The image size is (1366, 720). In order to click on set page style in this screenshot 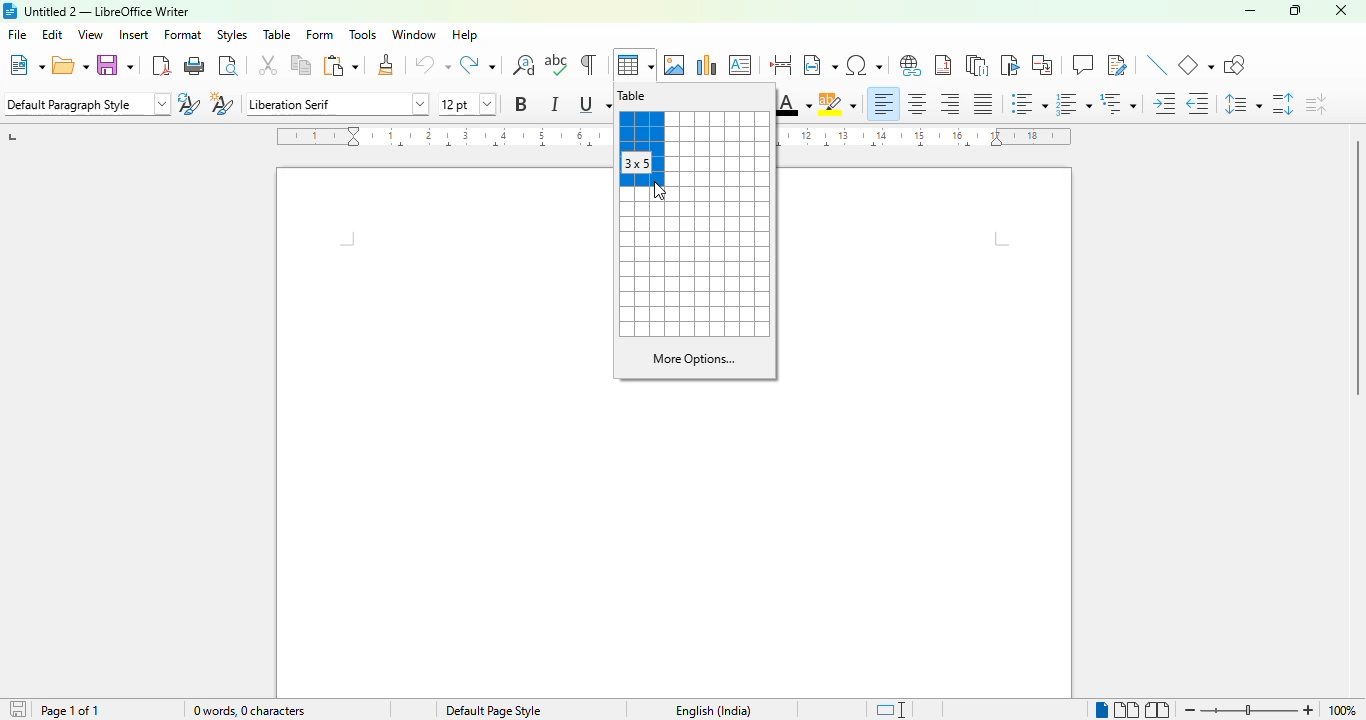, I will do `click(86, 103)`.